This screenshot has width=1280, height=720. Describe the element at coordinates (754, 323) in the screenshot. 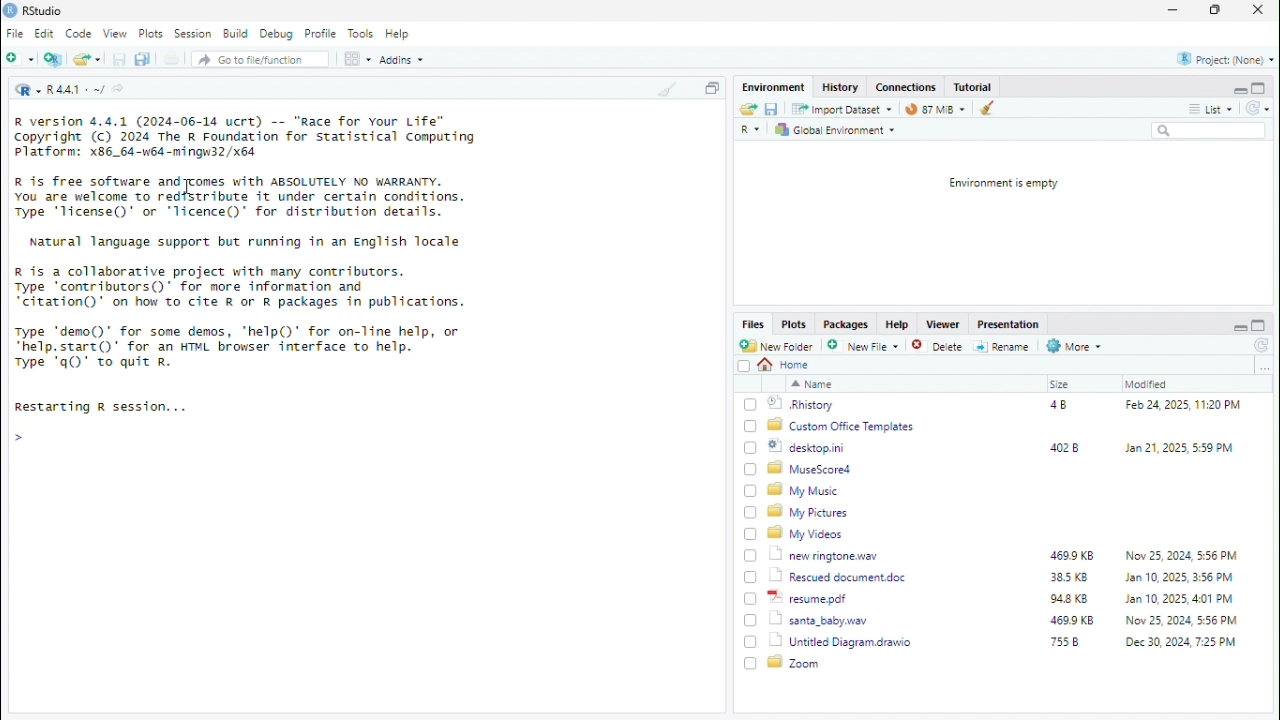

I see `Files` at that location.